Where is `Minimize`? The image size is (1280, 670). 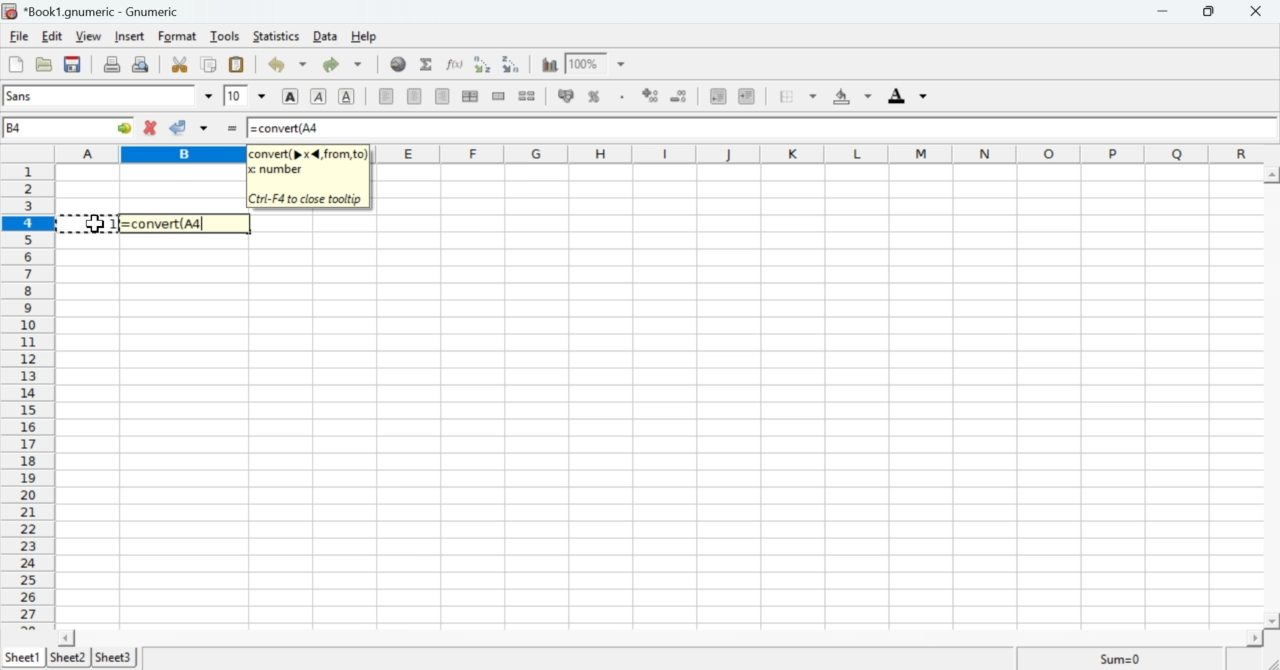
Minimize is located at coordinates (1164, 11).